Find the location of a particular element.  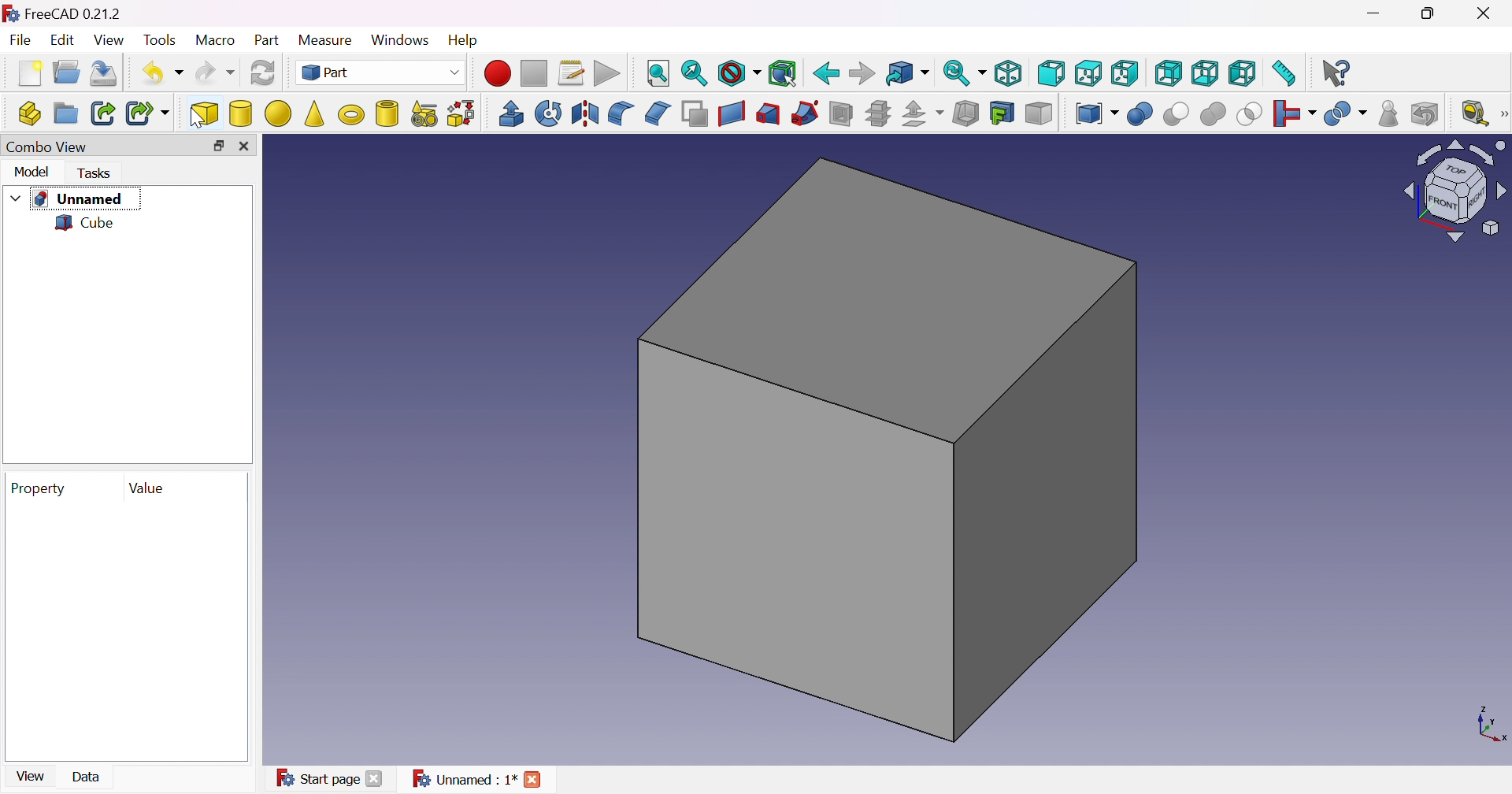

Fillet  is located at coordinates (620, 114).